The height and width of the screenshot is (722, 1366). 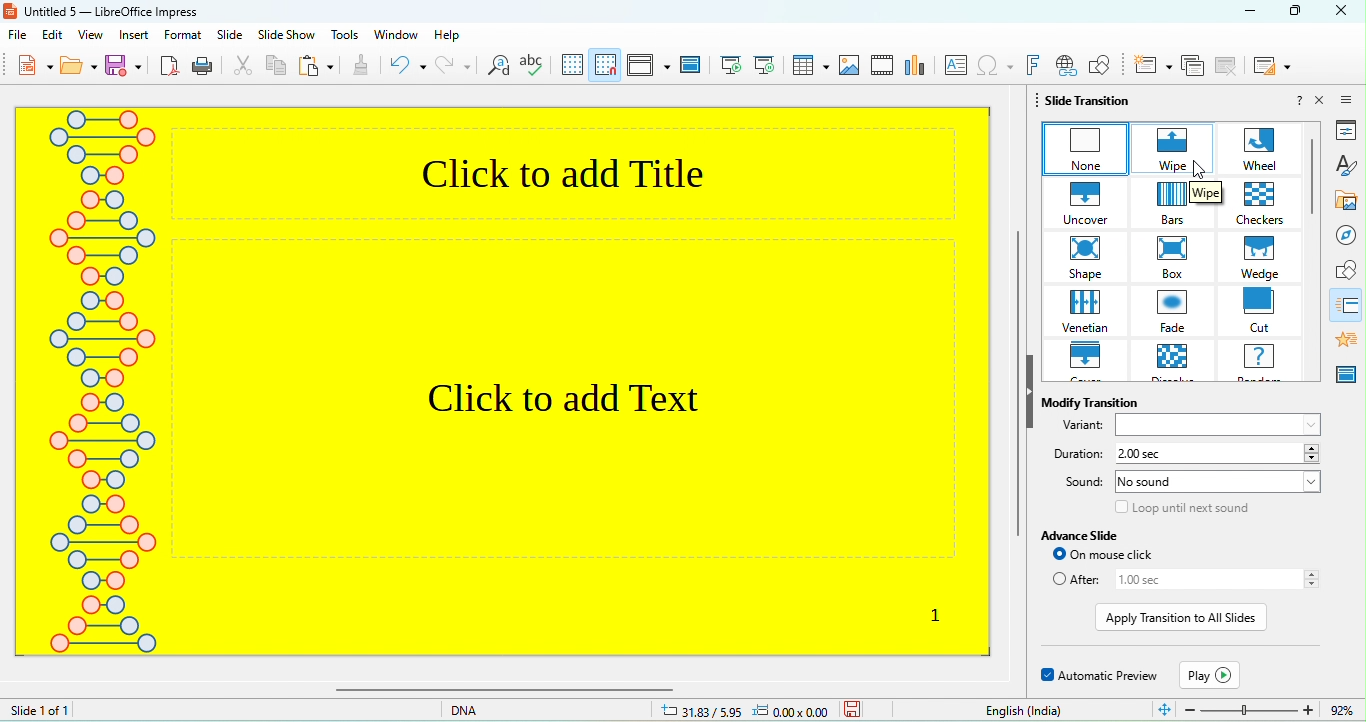 What do you see at coordinates (396, 37) in the screenshot?
I see `window` at bounding box center [396, 37].